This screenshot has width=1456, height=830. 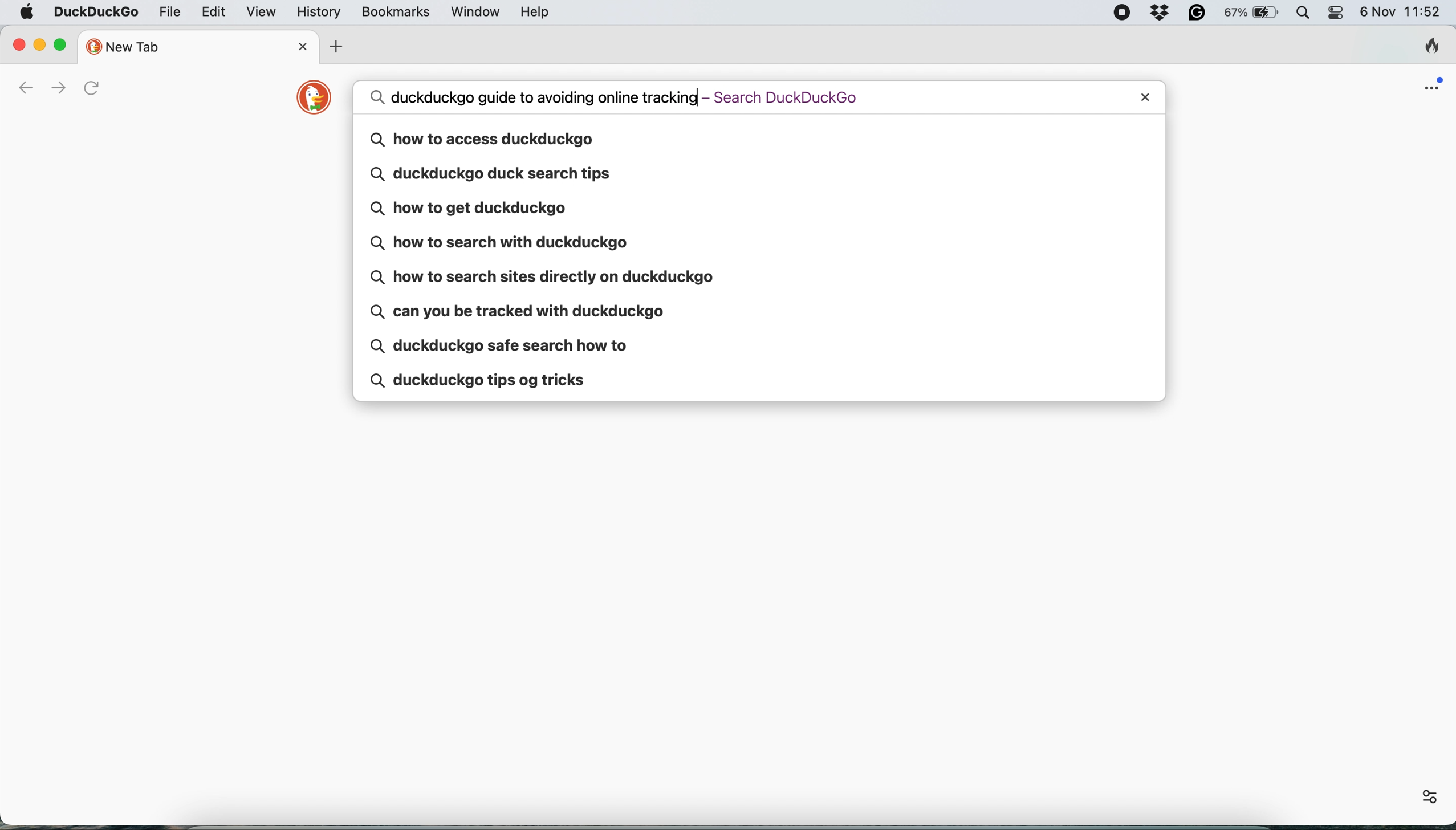 I want to click on file, so click(x=167, y=13).